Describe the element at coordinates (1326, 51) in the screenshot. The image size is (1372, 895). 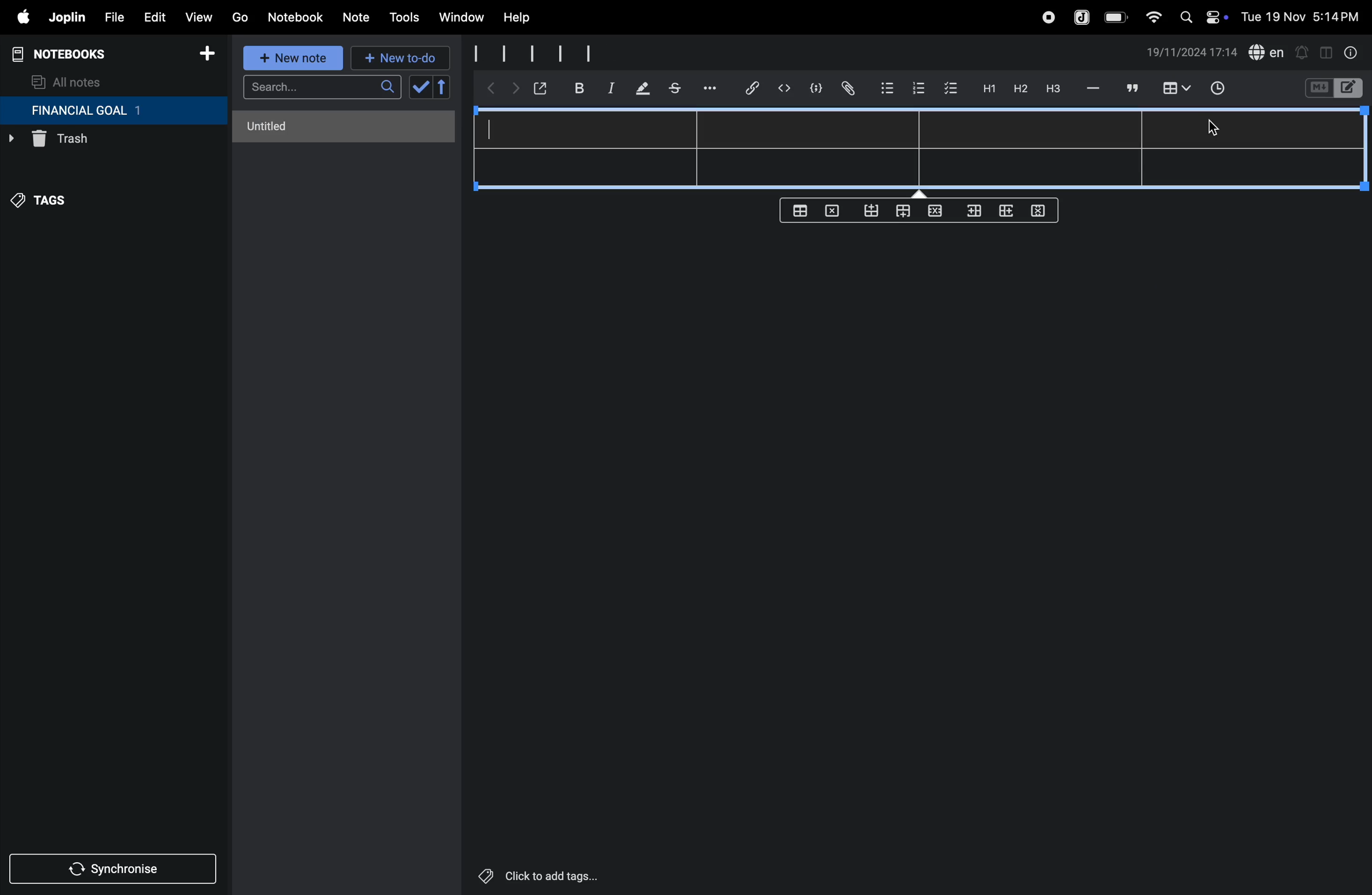
I see `toggle editor` at that location.